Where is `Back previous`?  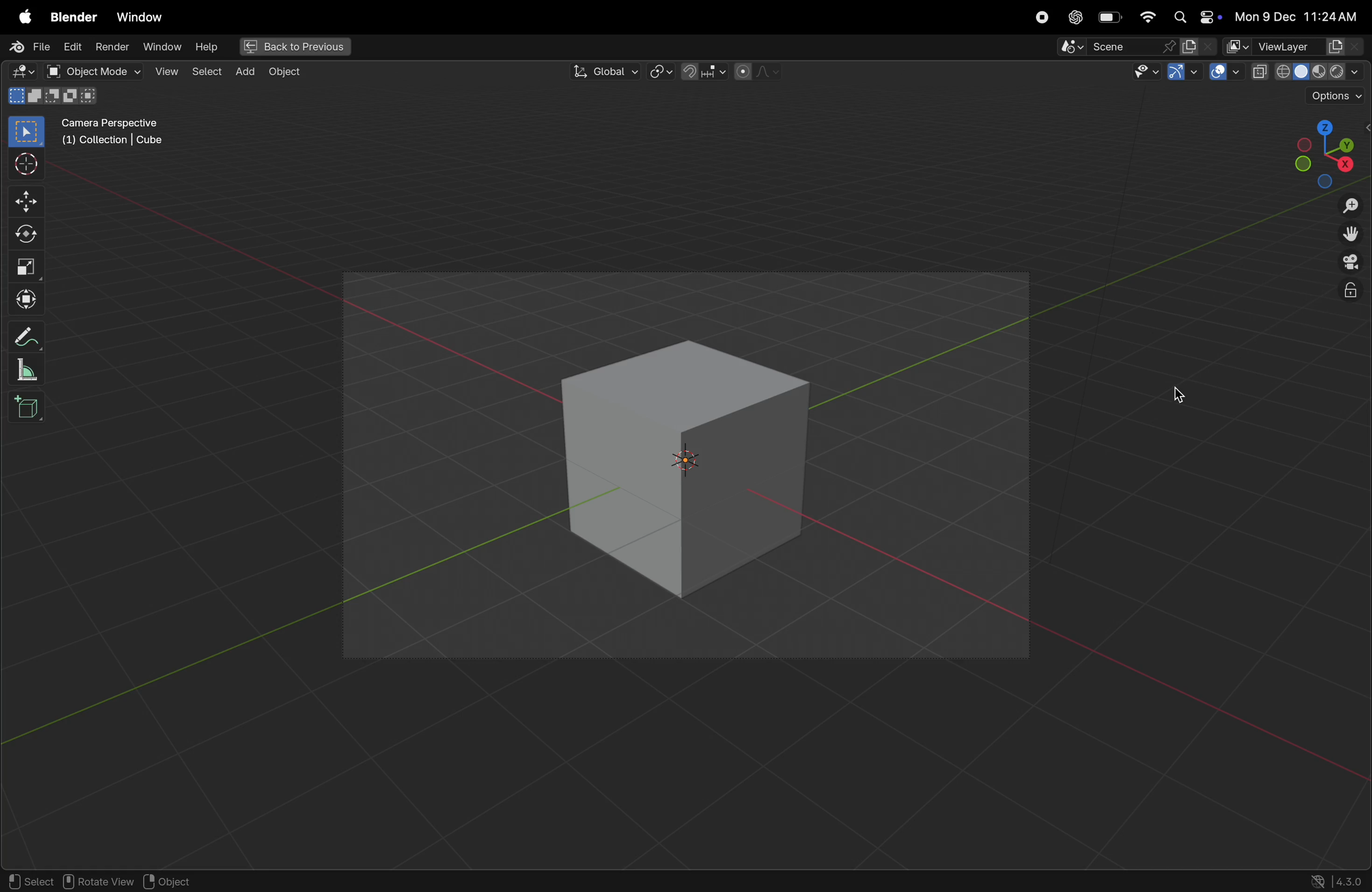
Back previous is located at coordinates (295, 46).